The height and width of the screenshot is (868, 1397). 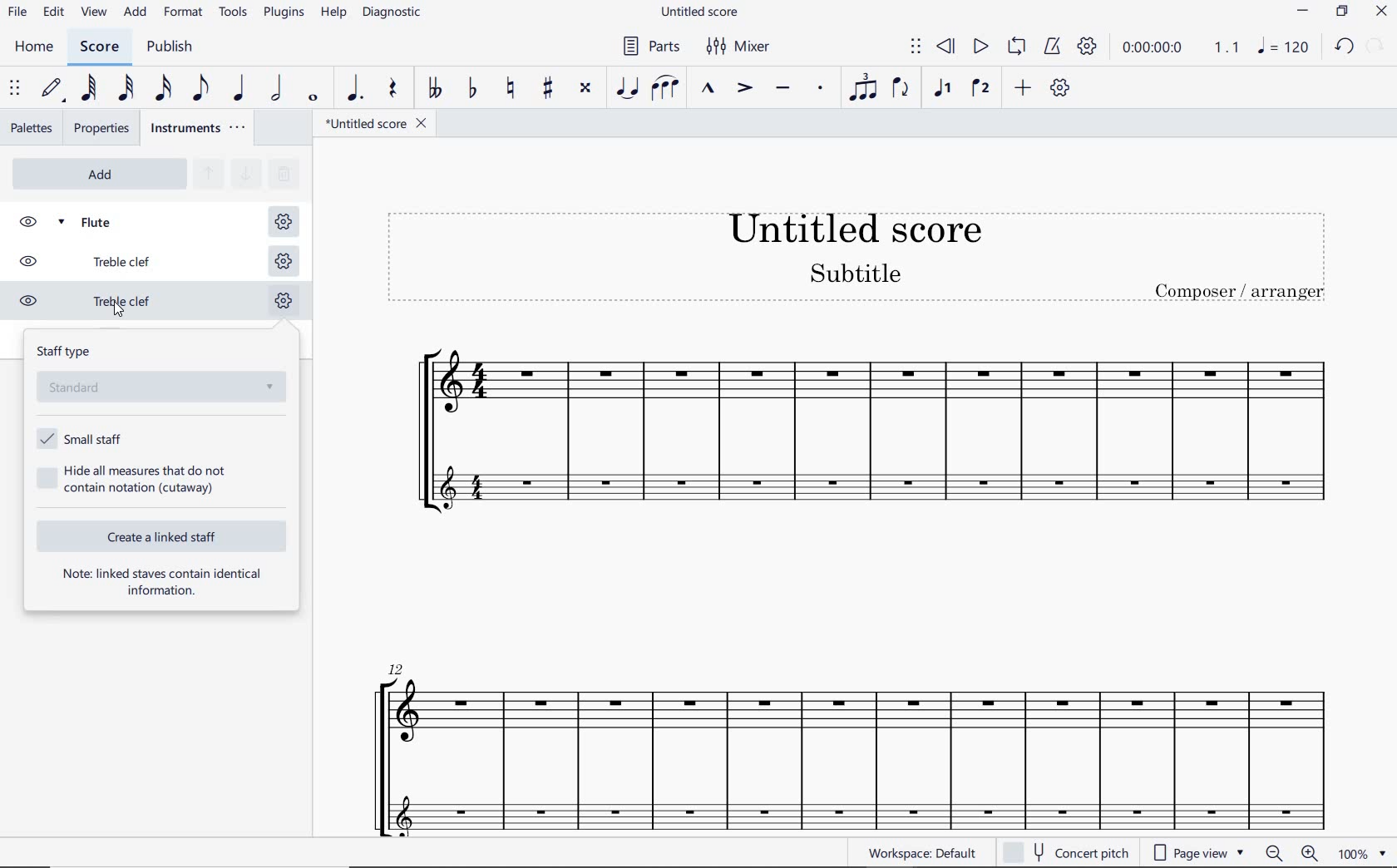 I want to click on HELP, so click(x=334, y=15).